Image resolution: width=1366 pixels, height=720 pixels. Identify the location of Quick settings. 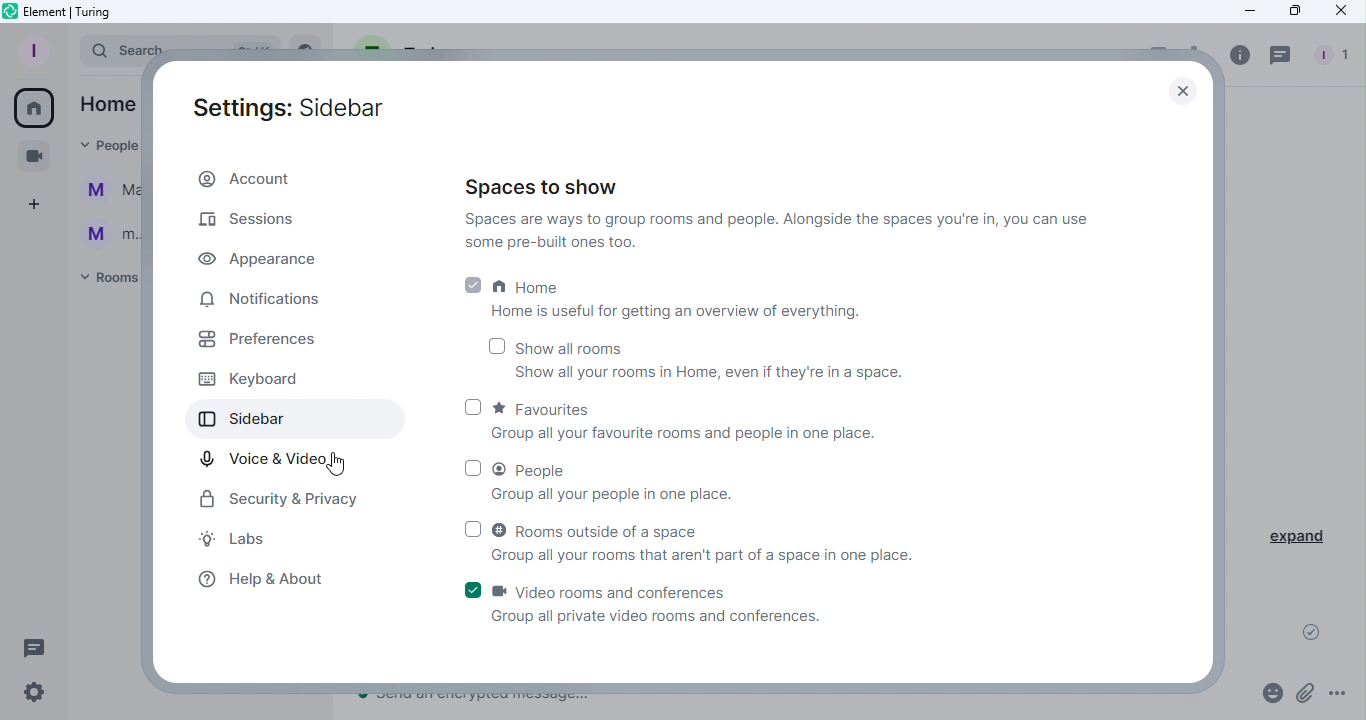
(39, 695).